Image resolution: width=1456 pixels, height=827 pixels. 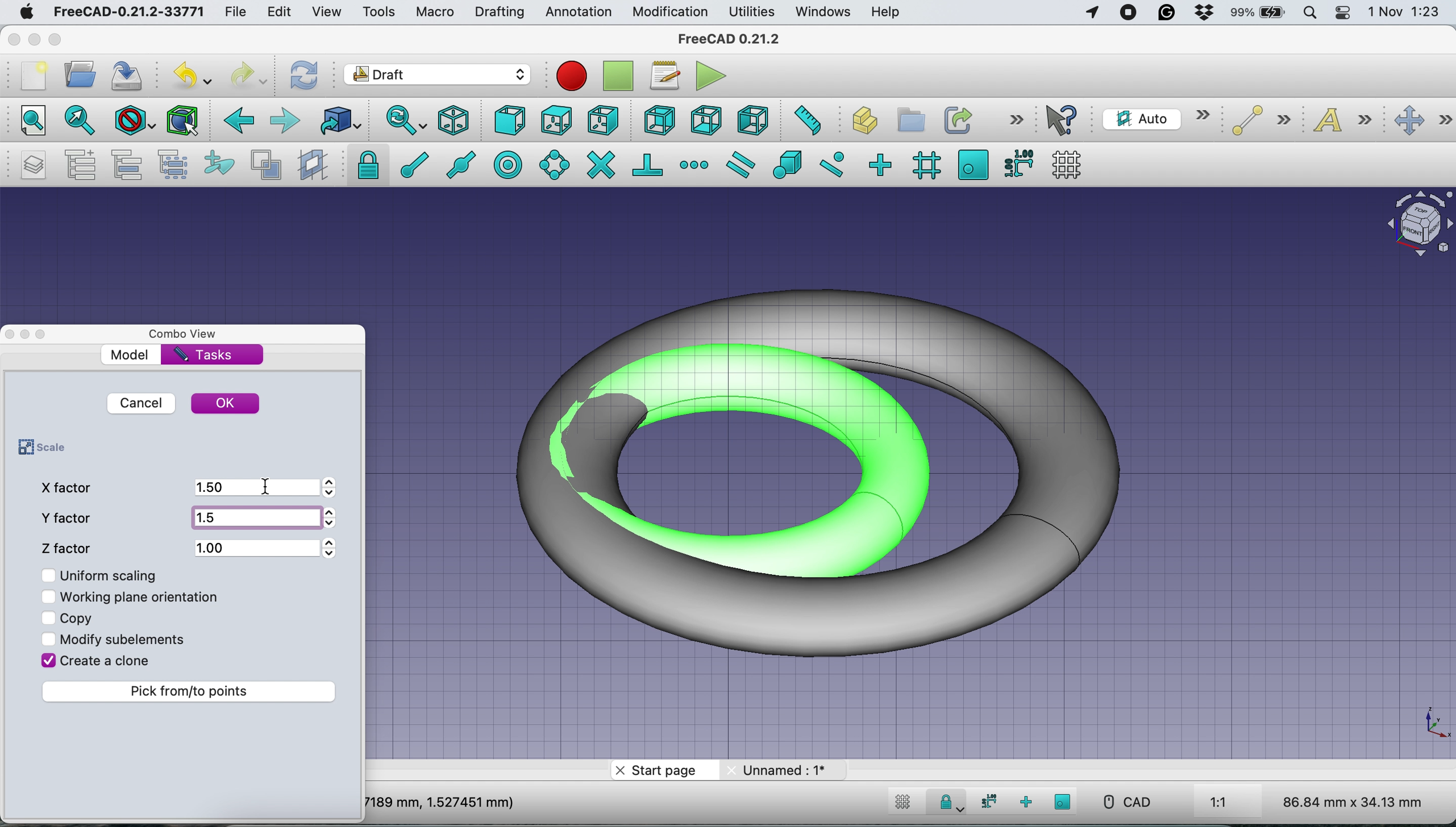 What do you see at coordinates (107, 663) in the screenshot?
I see `create a clone` at bounding box center [107, 663].